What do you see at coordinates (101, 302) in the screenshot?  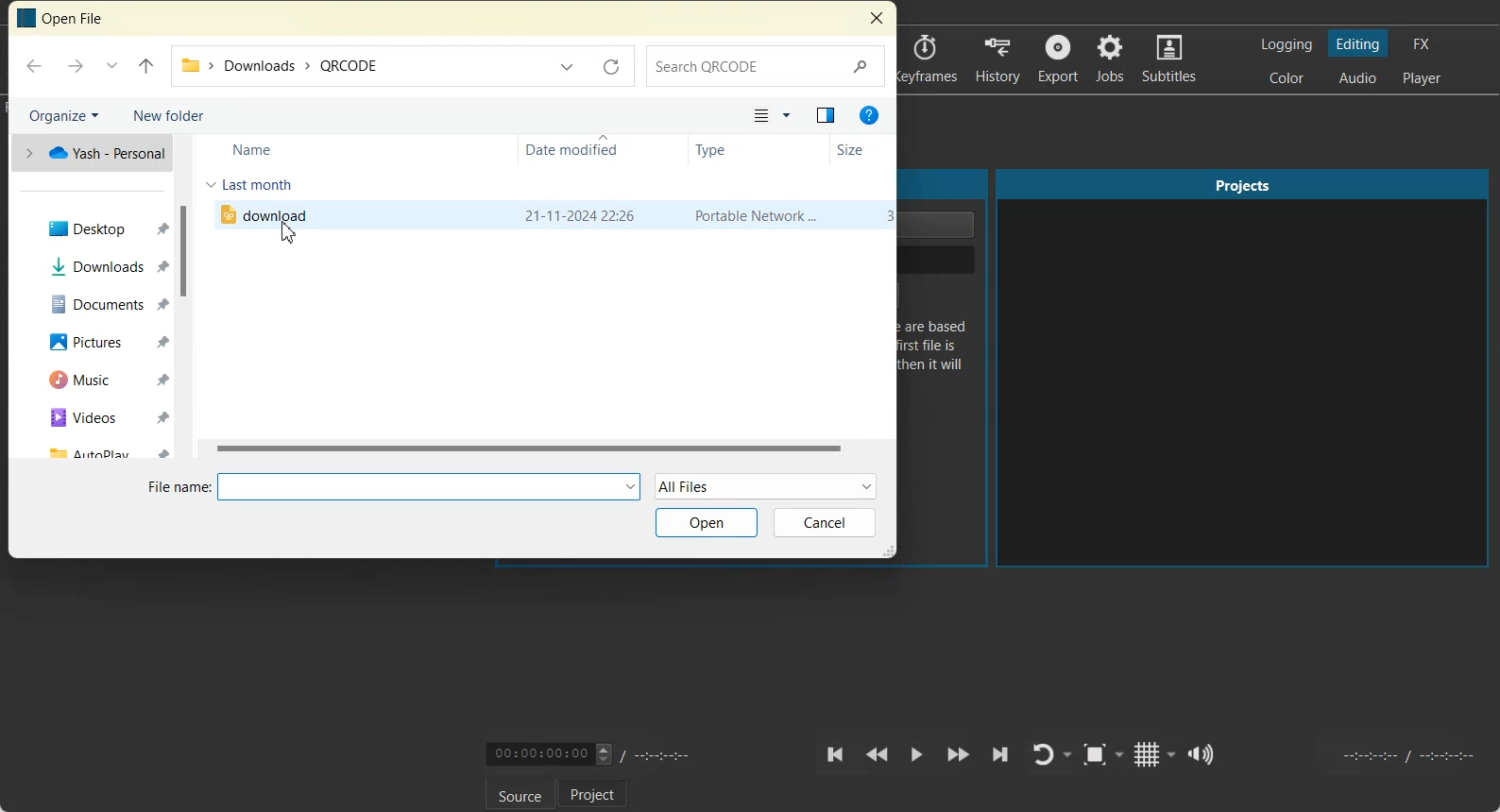 I see `Documents` at bounding box center [101, 302].